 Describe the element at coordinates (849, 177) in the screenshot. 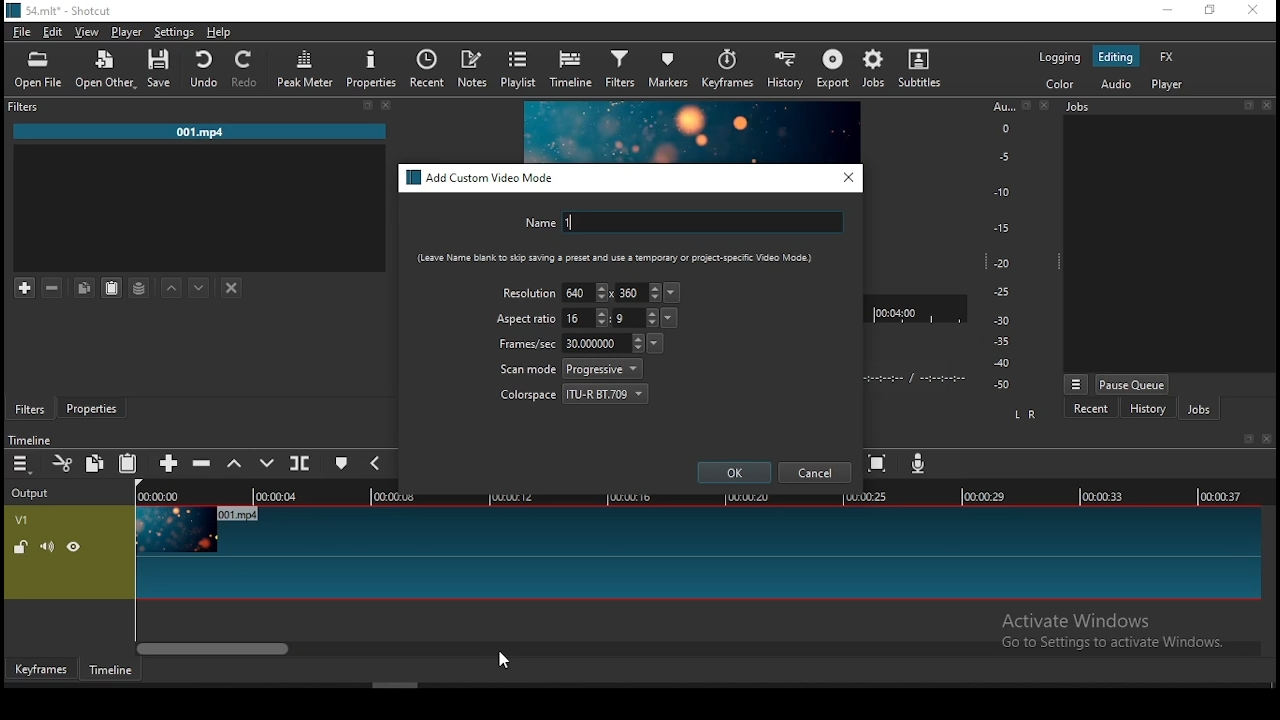

I see `close window` at that location.